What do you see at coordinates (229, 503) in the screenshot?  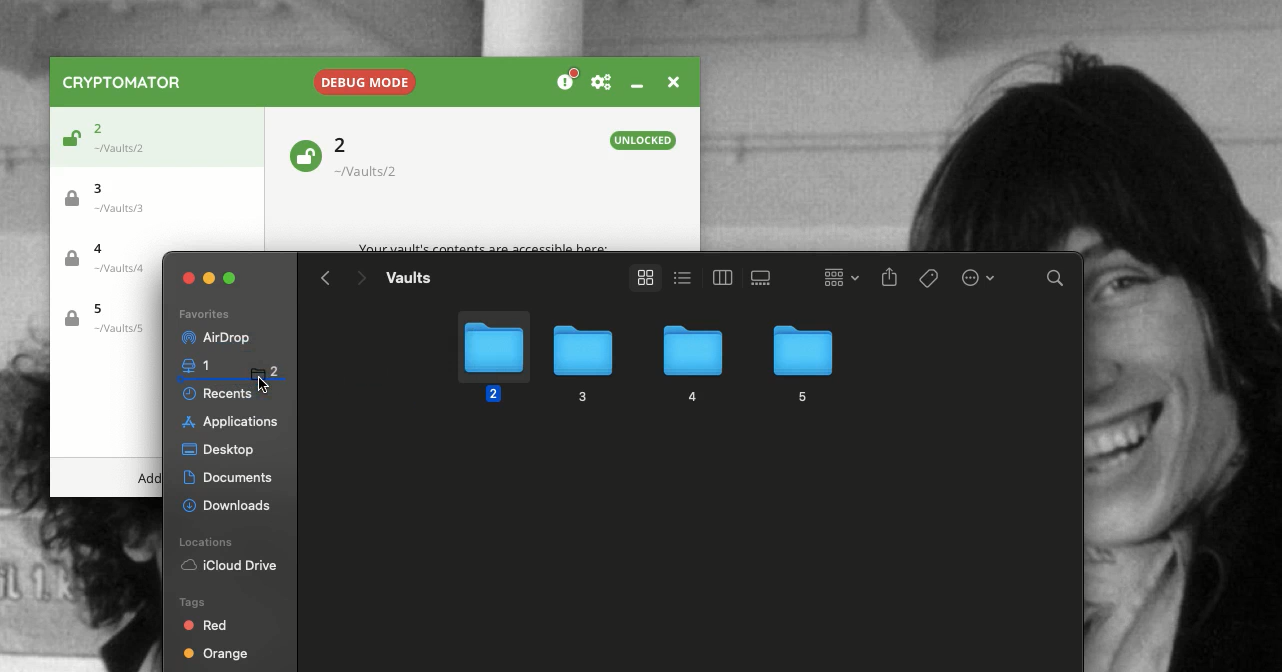 I see `Downloads` at bounding box center [229, 503].